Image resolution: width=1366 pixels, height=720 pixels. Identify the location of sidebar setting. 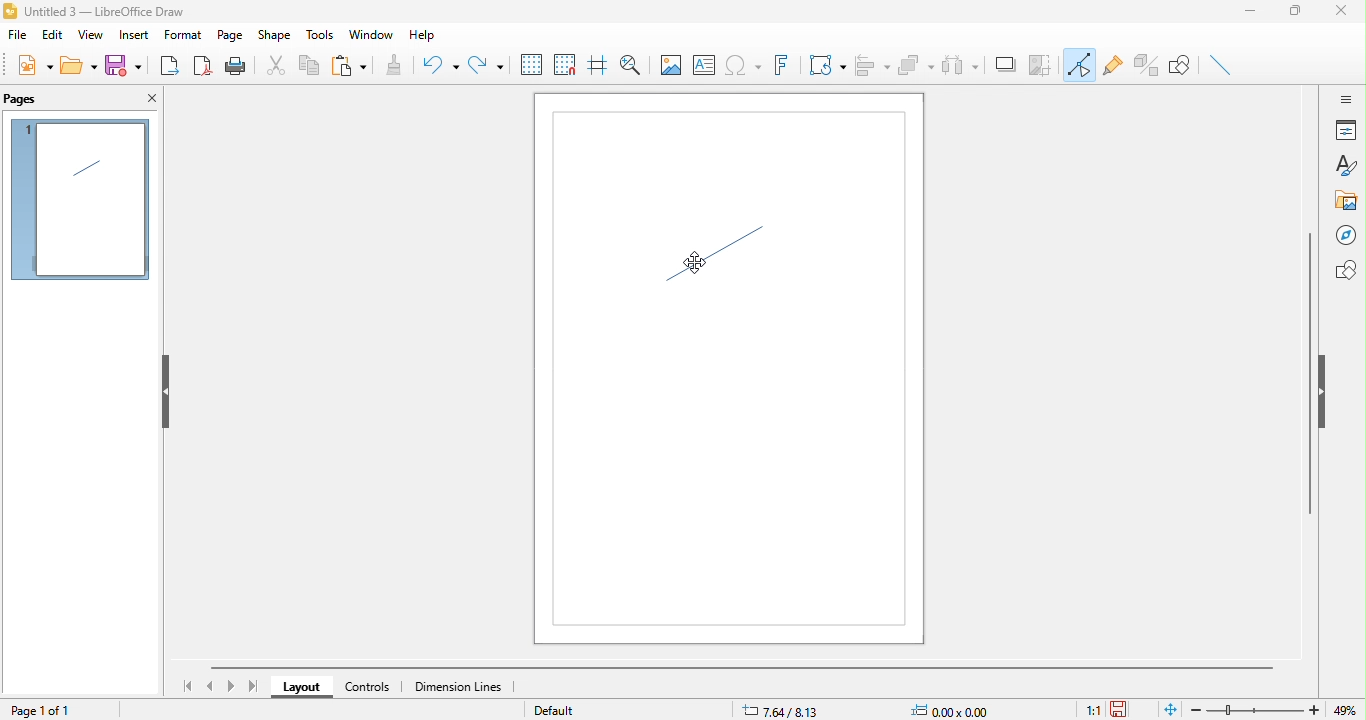
(1346, 98).